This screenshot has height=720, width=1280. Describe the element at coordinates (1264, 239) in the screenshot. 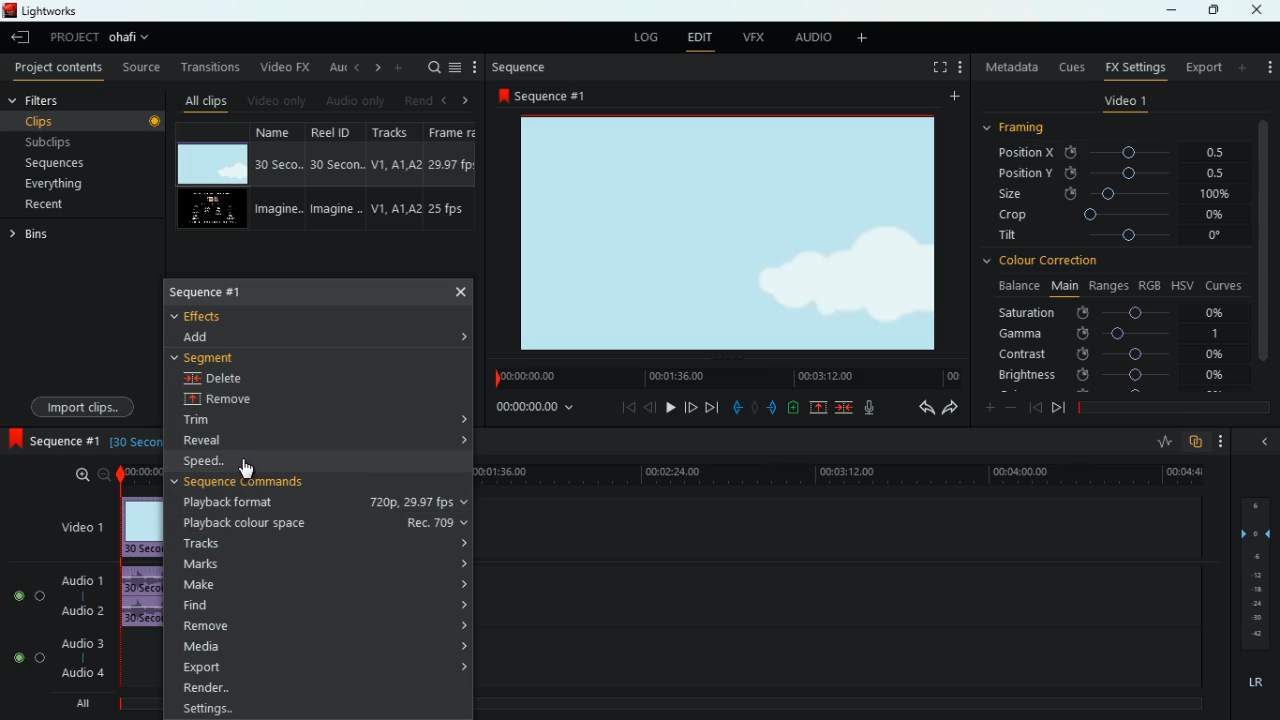

I see `vertical scroll bar` at that location.